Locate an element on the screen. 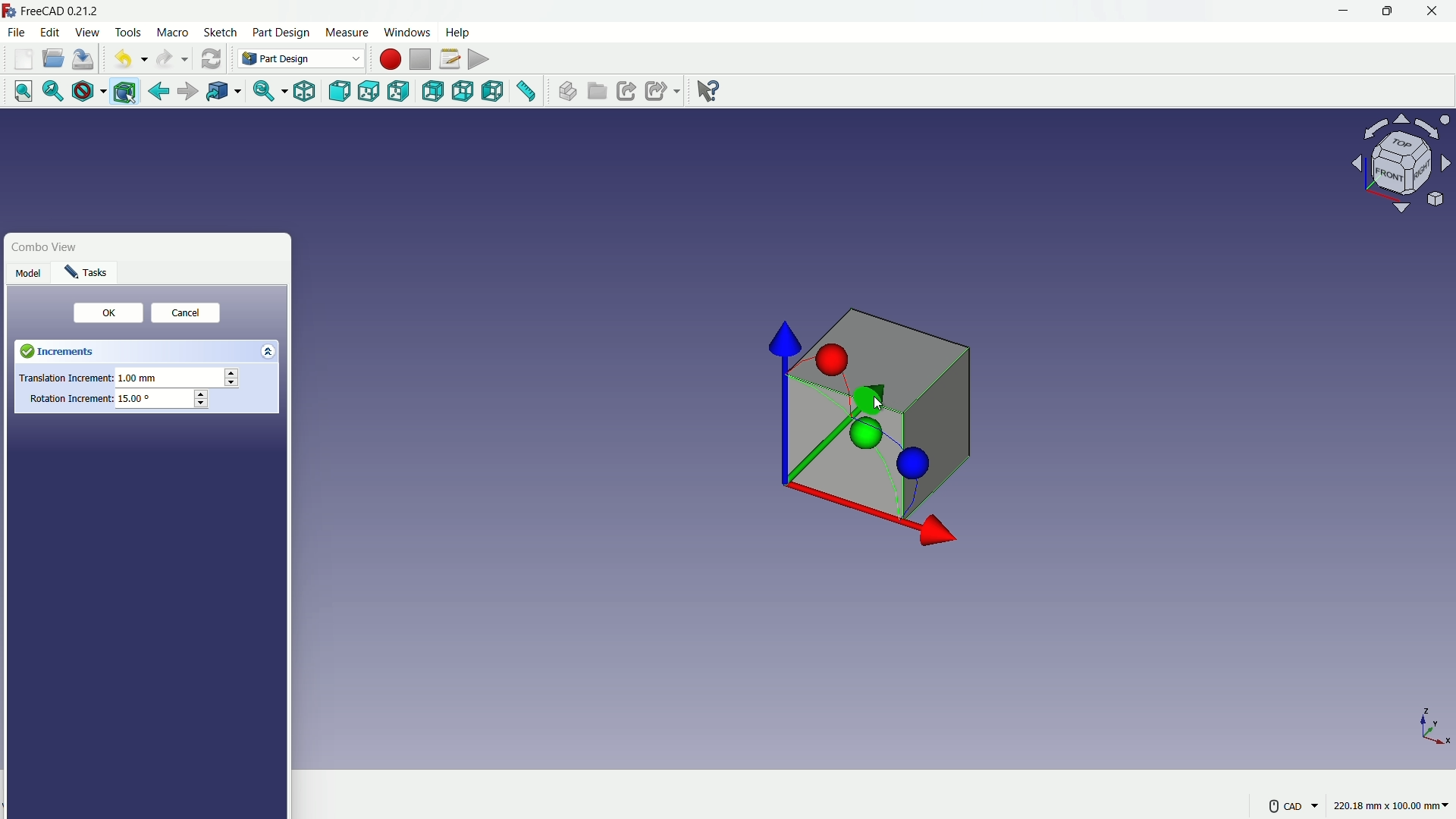 Image resolution: width=1456 pixels, height=819 pixels. windows is located at coordinates (406, 32).